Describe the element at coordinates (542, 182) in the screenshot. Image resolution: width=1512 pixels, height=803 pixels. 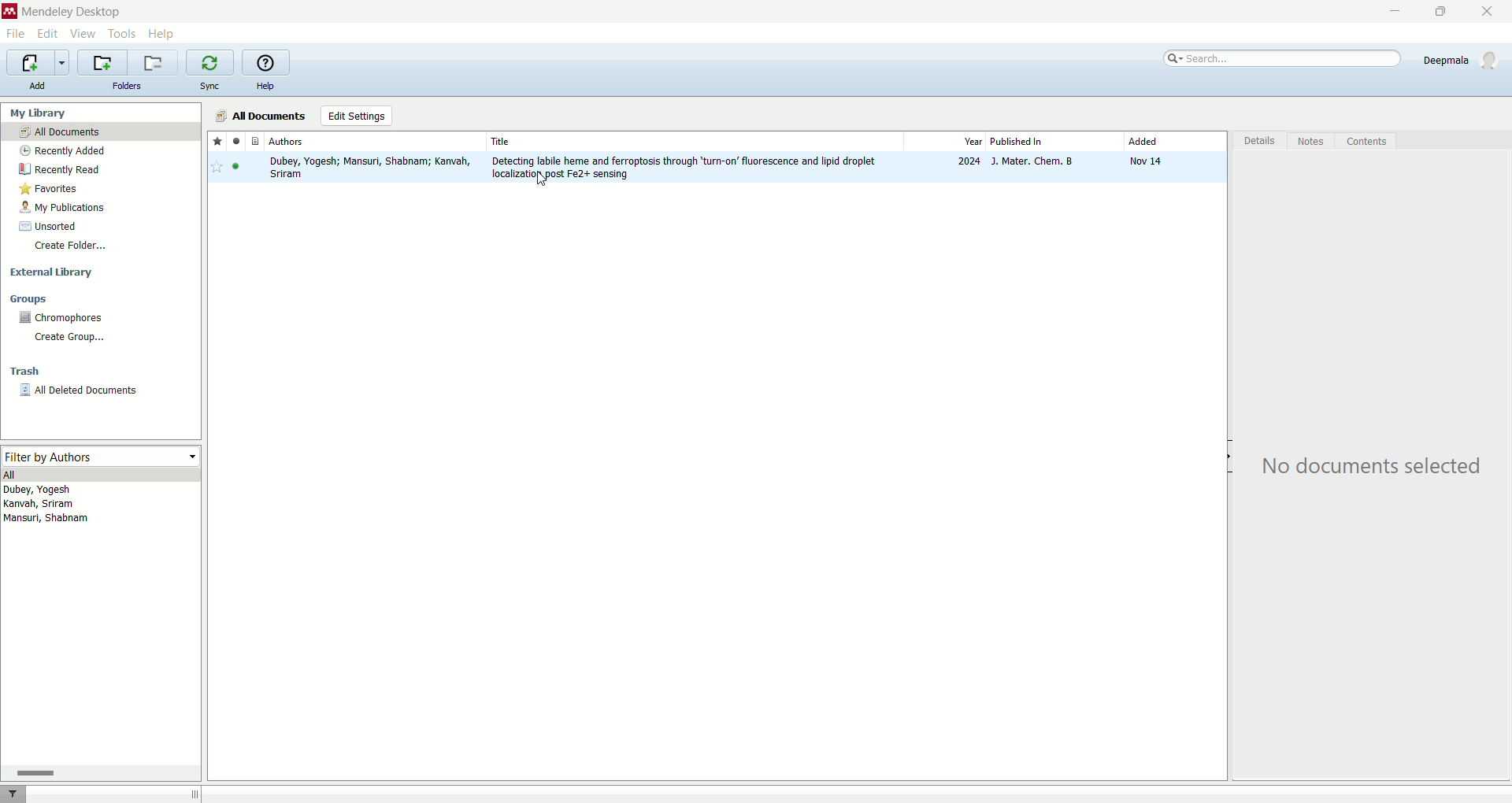
I see `cursor` at that location.